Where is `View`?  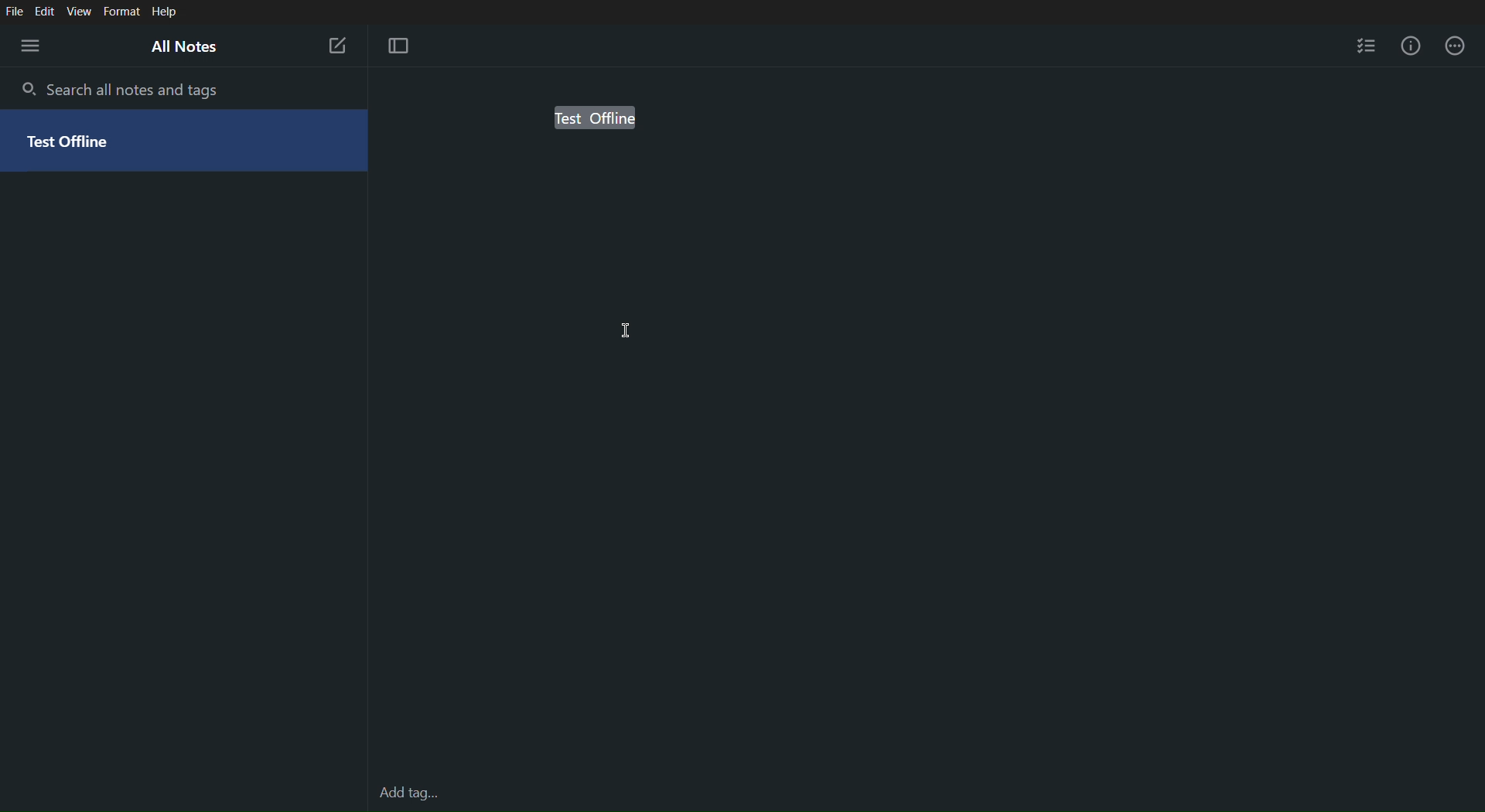 View is located at coordinates (81, 10).